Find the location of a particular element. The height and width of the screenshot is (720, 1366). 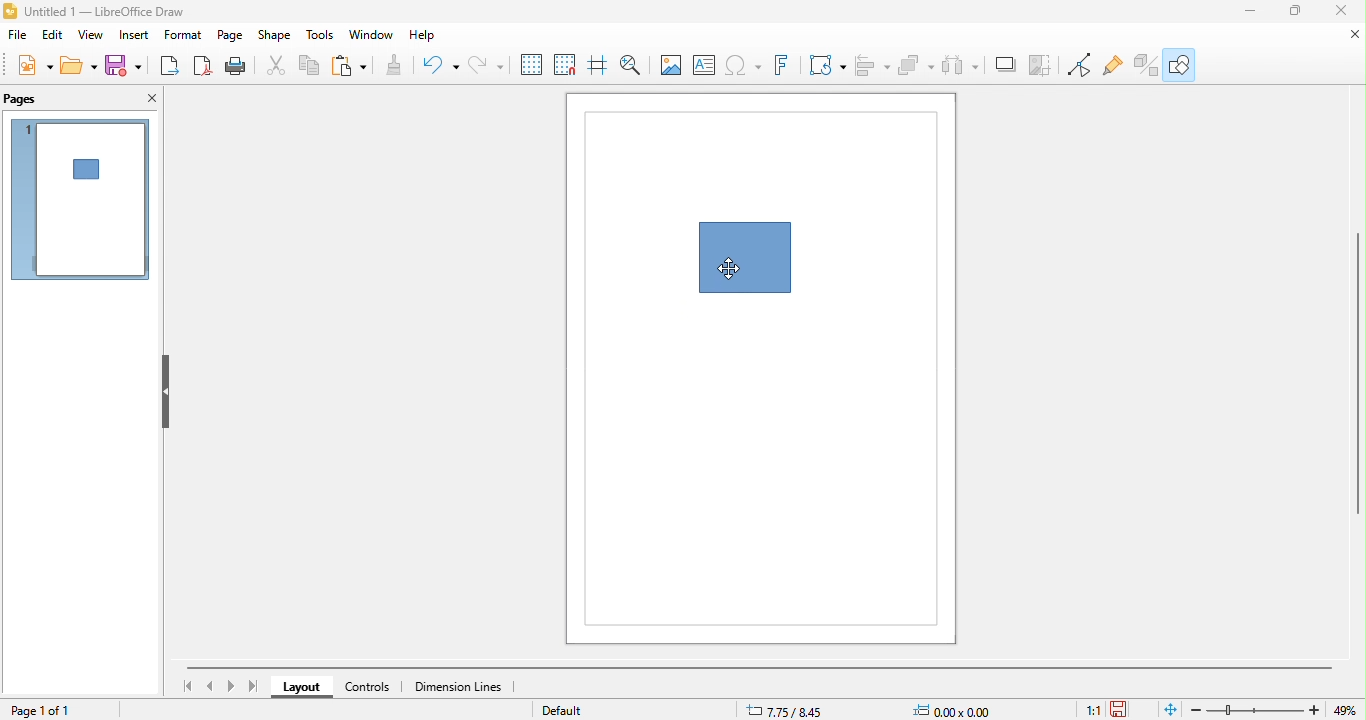

file is located at coordinates (17, 35).